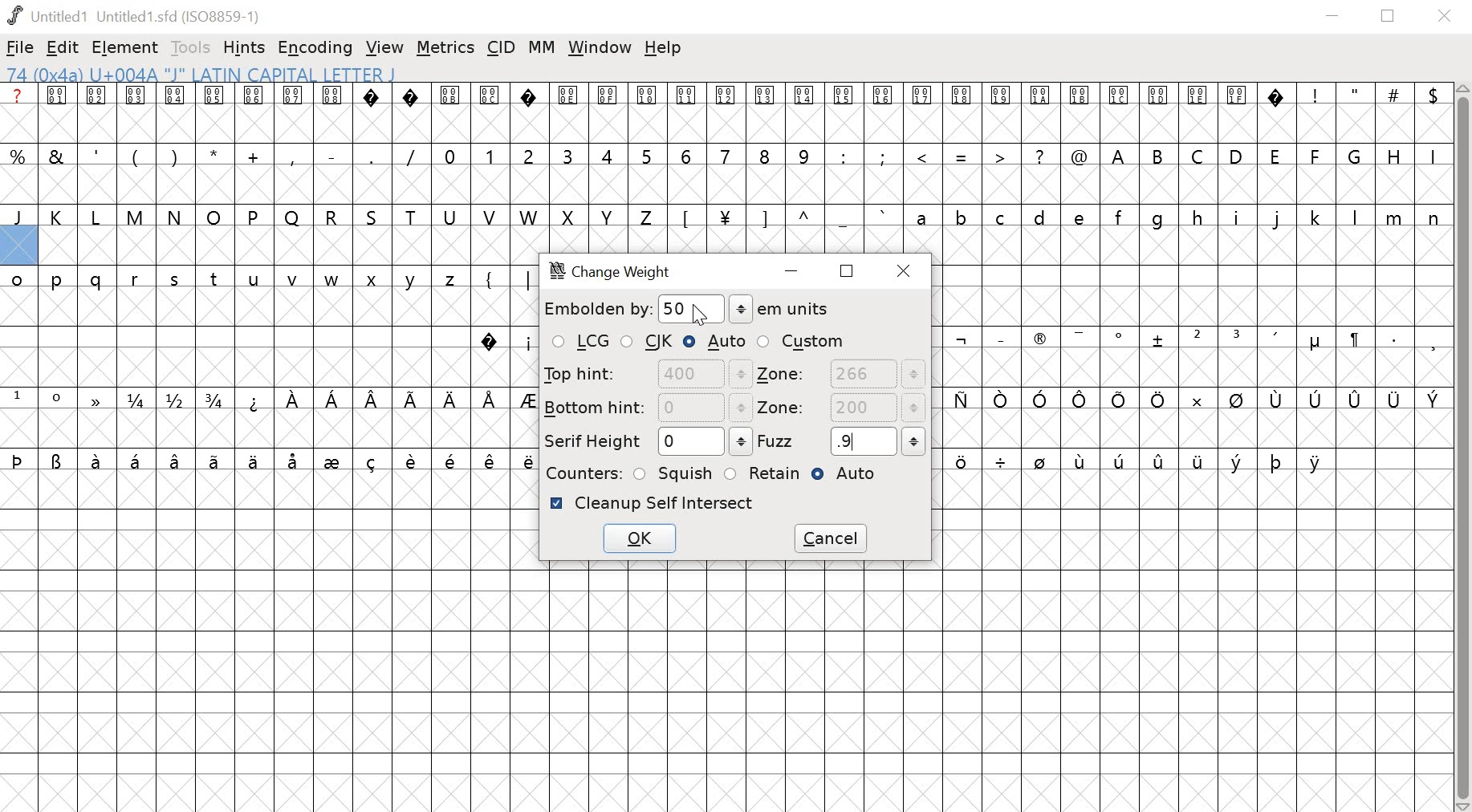  I want to click on fractions, so click(179, 401).